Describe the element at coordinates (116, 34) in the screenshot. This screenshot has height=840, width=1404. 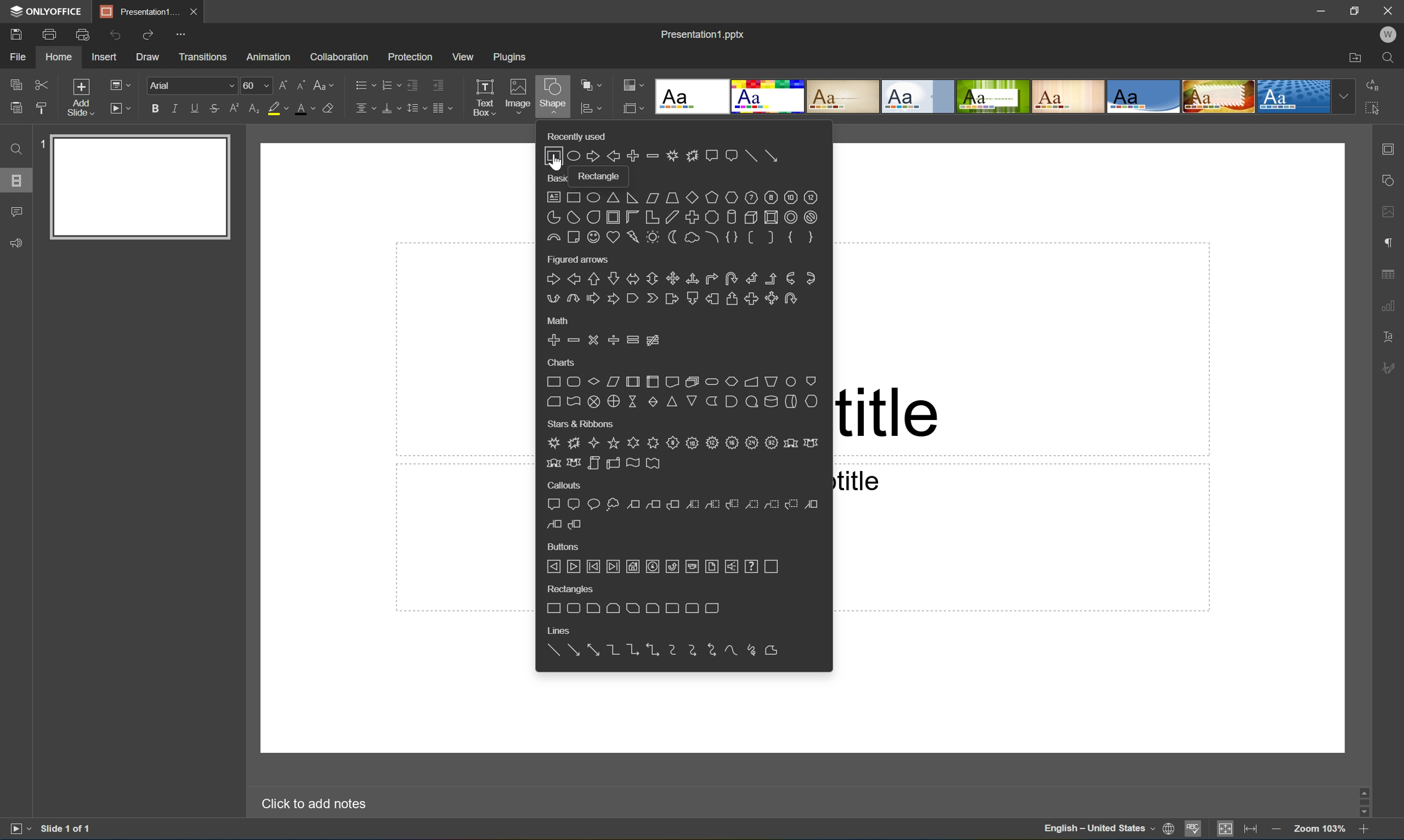
I see `Undo` at that location.